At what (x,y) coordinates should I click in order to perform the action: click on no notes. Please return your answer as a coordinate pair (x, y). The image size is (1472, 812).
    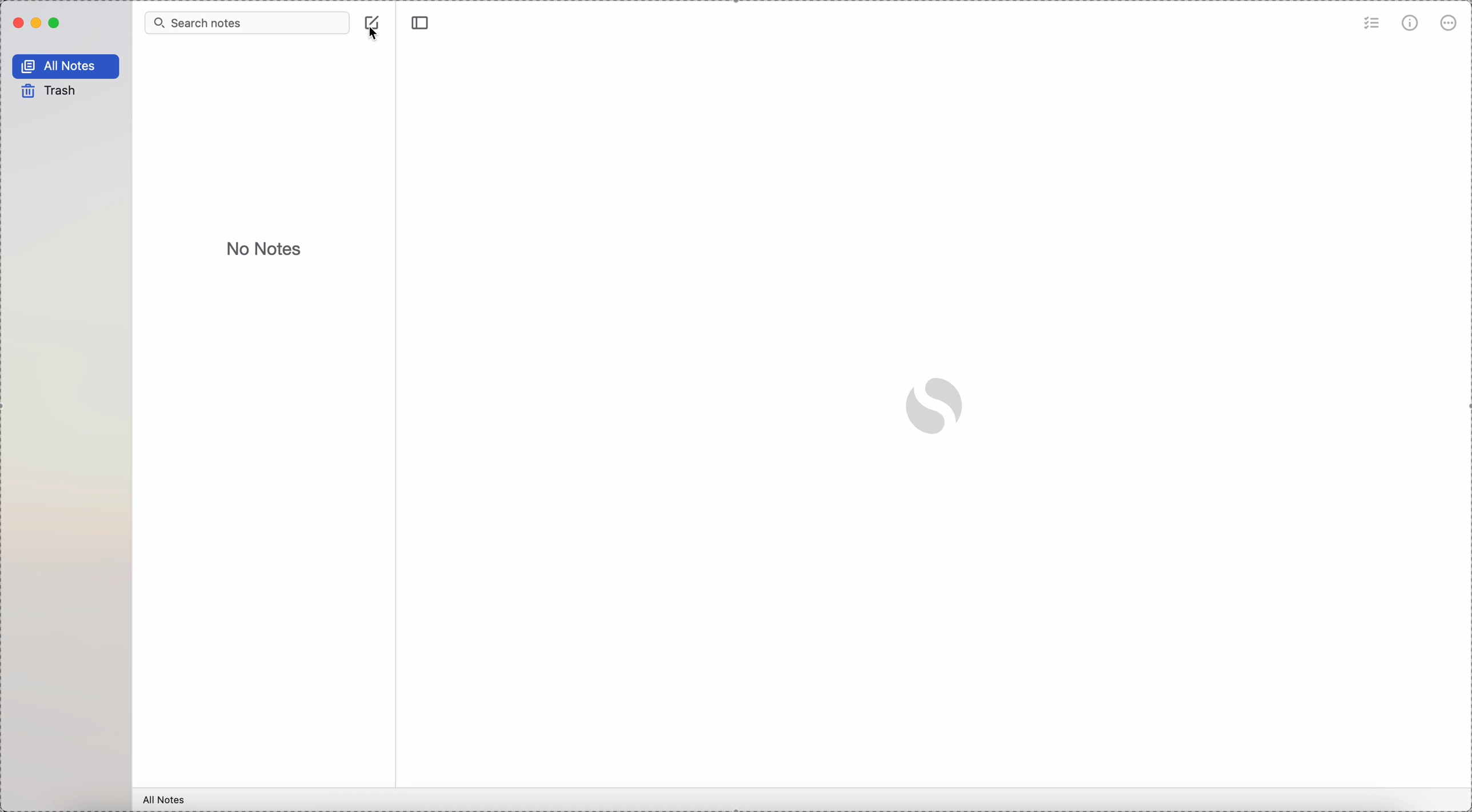
    Looking at the image, I should click on (266, 249).